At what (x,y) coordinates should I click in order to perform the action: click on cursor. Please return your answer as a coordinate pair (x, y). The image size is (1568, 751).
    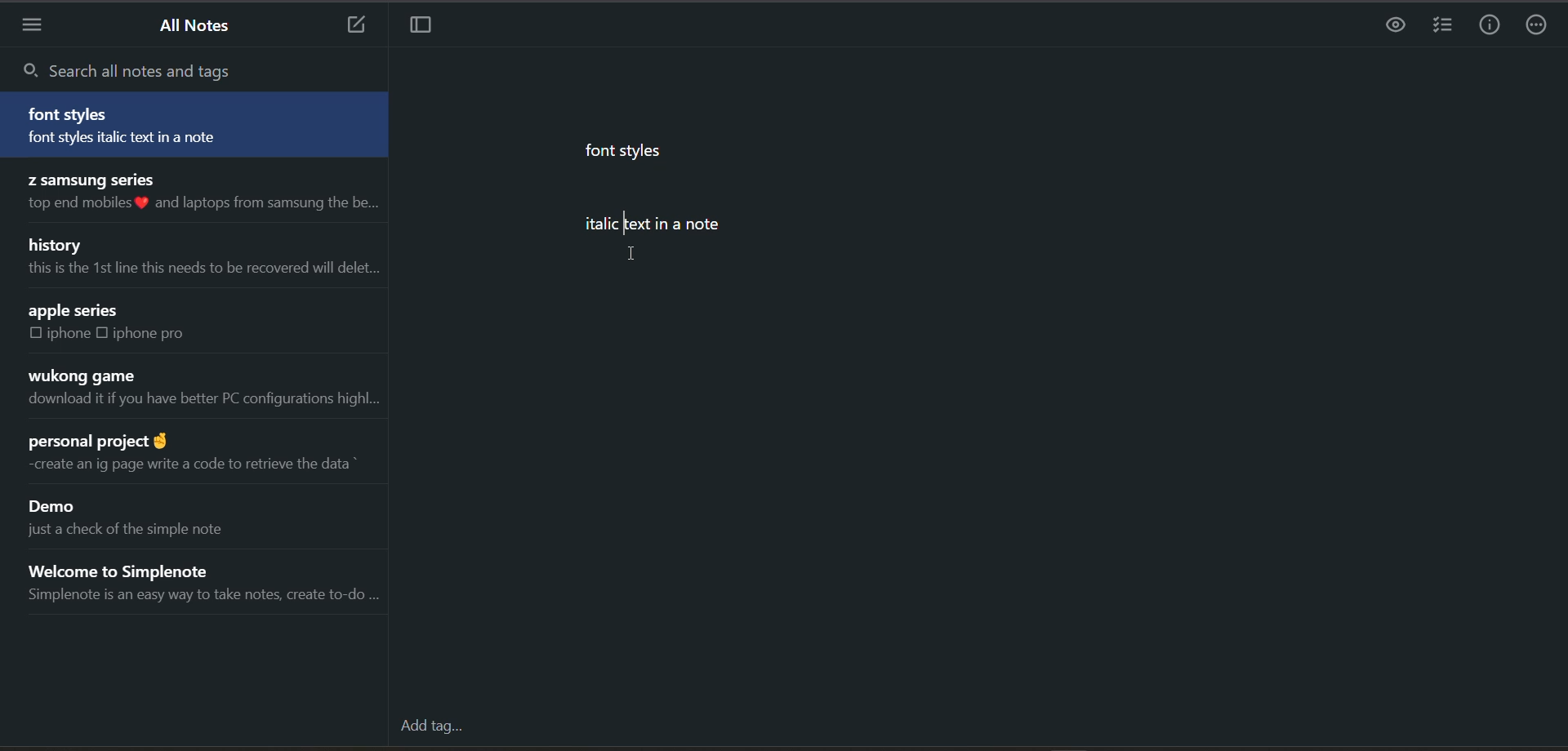
    Looking at the image, I should click on (623, 223).